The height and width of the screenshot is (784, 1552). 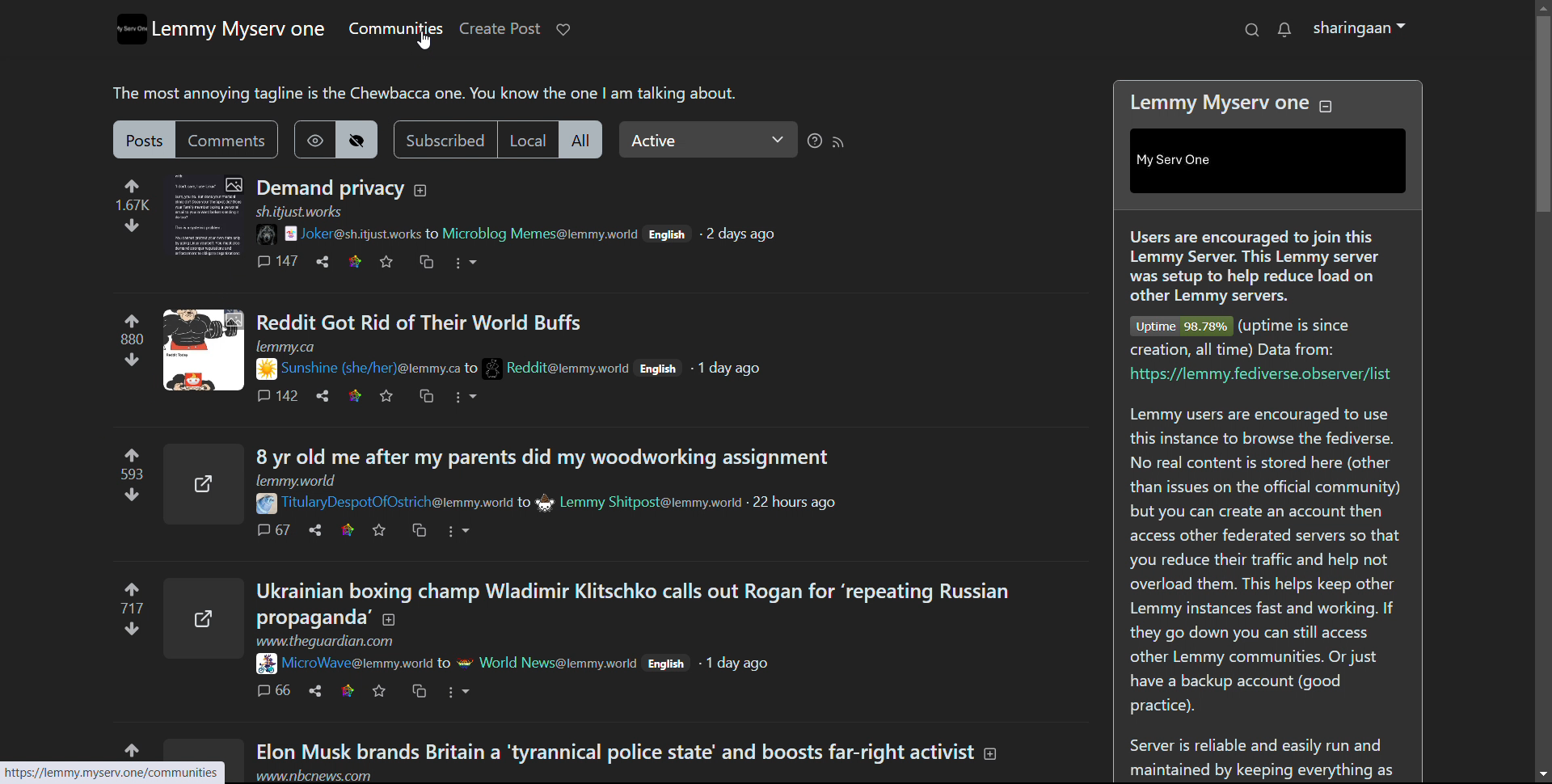 I want to click on scroll up, so click(x=1542, y=6).